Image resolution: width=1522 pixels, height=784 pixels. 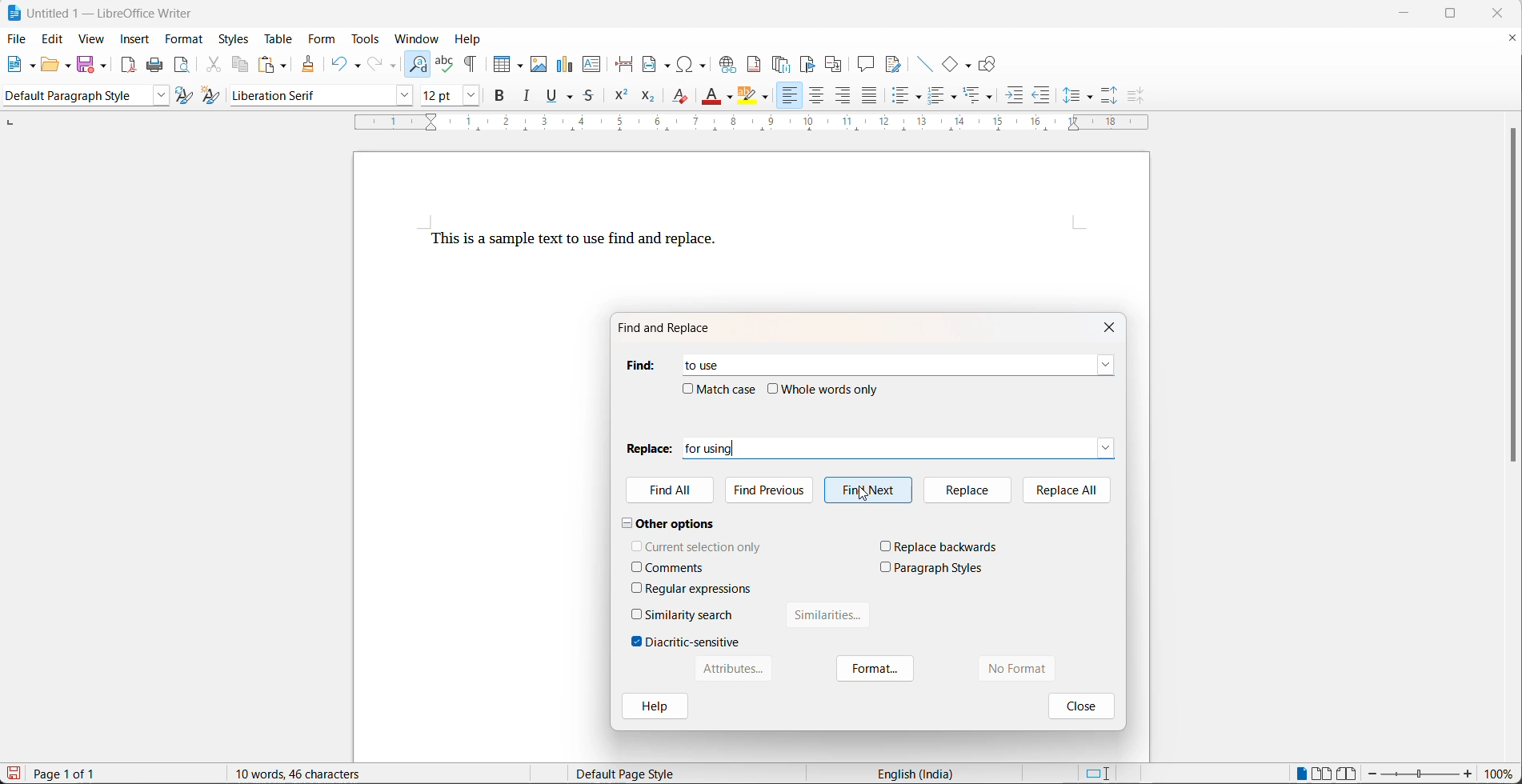 I want to click on standard selection, so click(x=1097, y=773).